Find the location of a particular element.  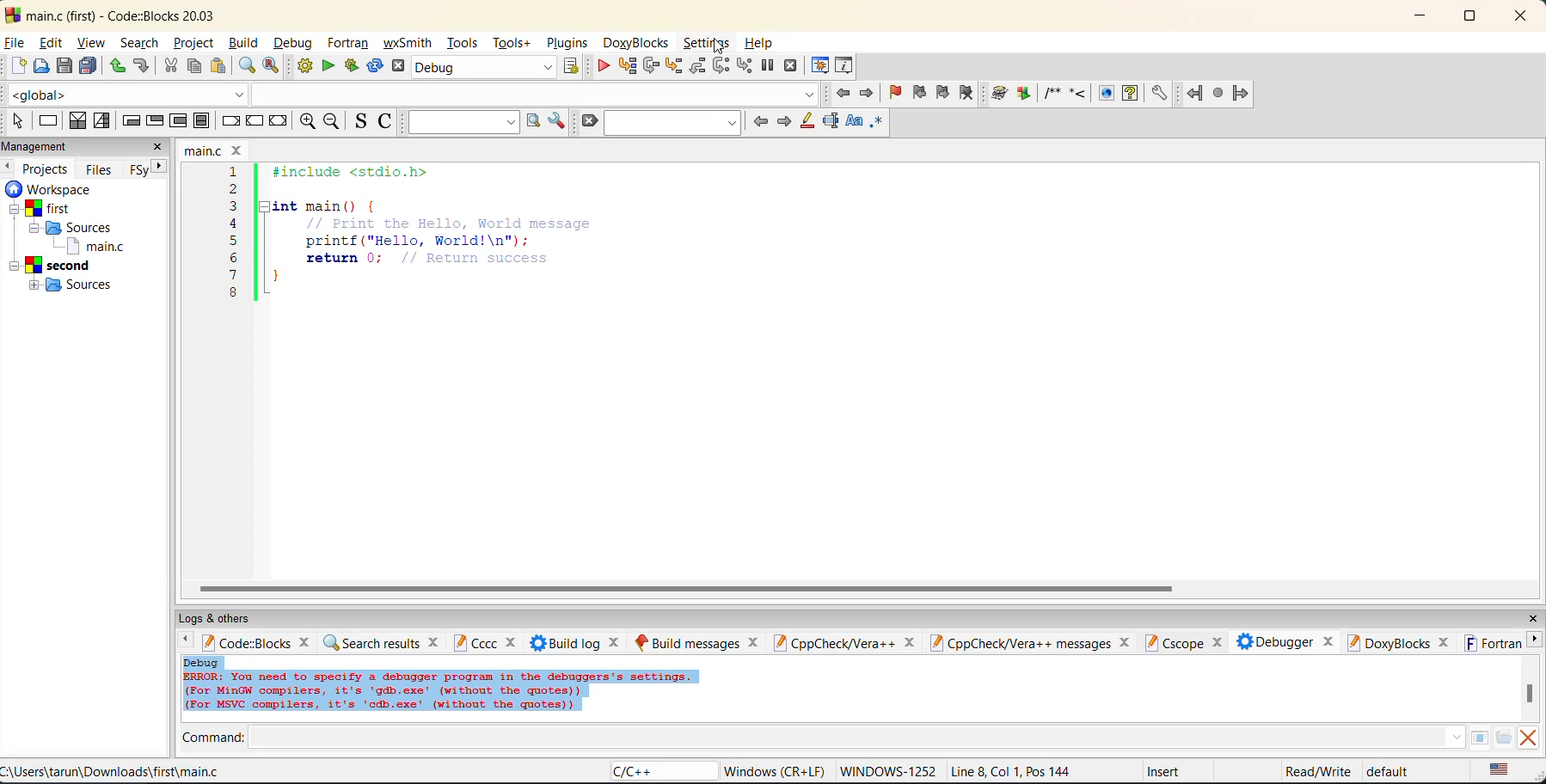

next is located at coordinates (158, 169).